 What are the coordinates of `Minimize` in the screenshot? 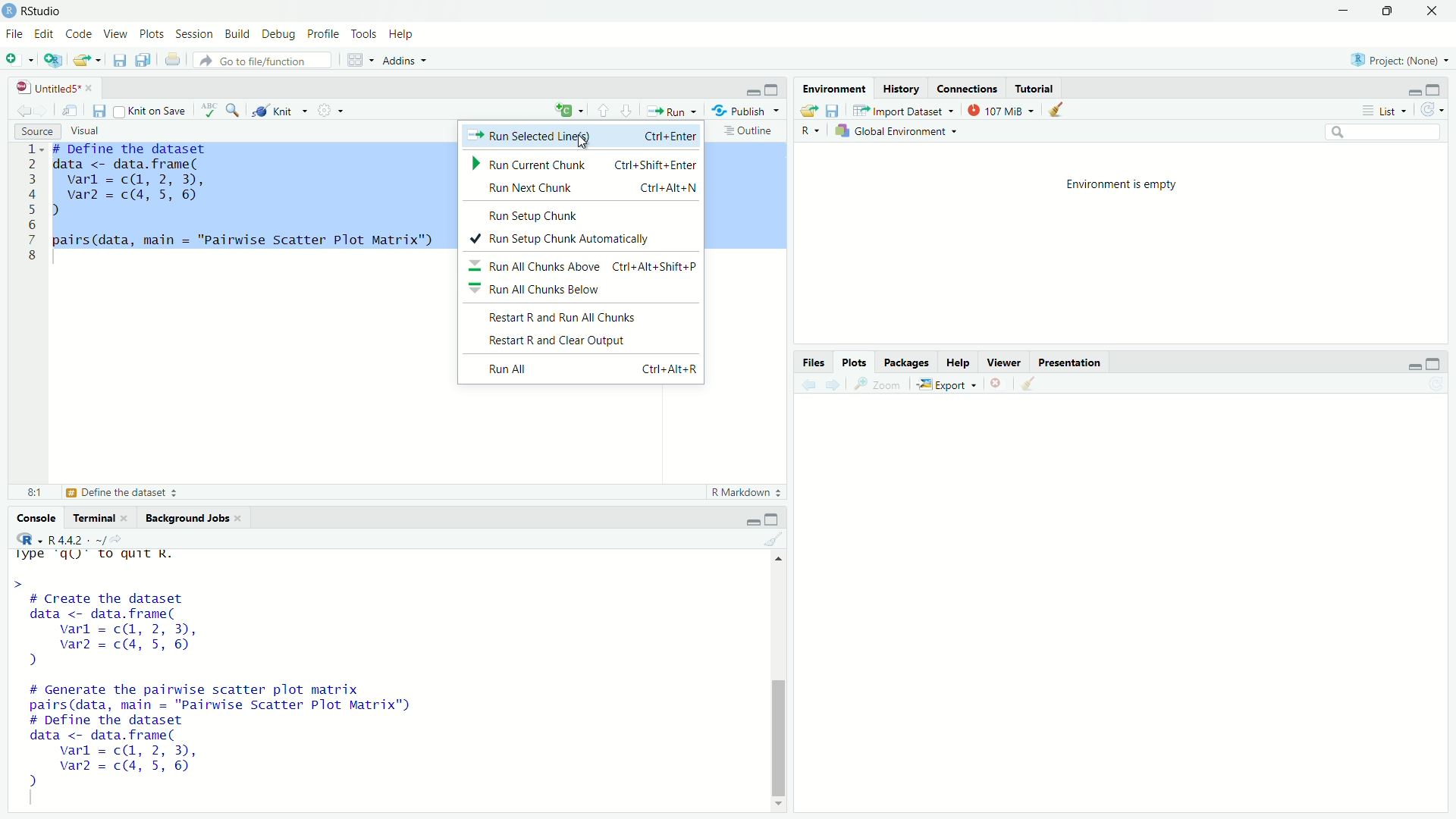 It's located at (1344, 9).